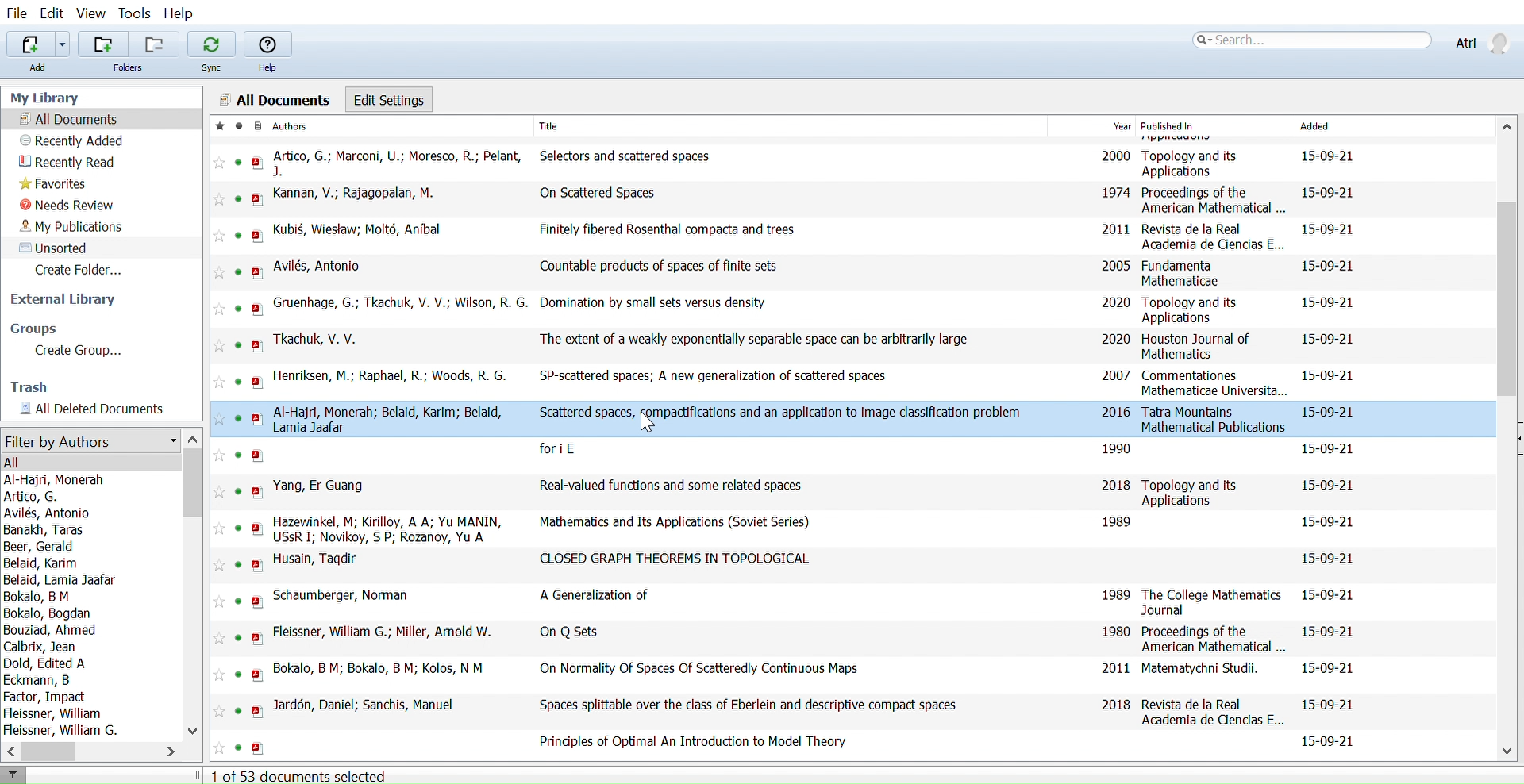 The width and height of the screenshot is (1524, 784). I want to click on 15-09-21, so click(1330, 705).